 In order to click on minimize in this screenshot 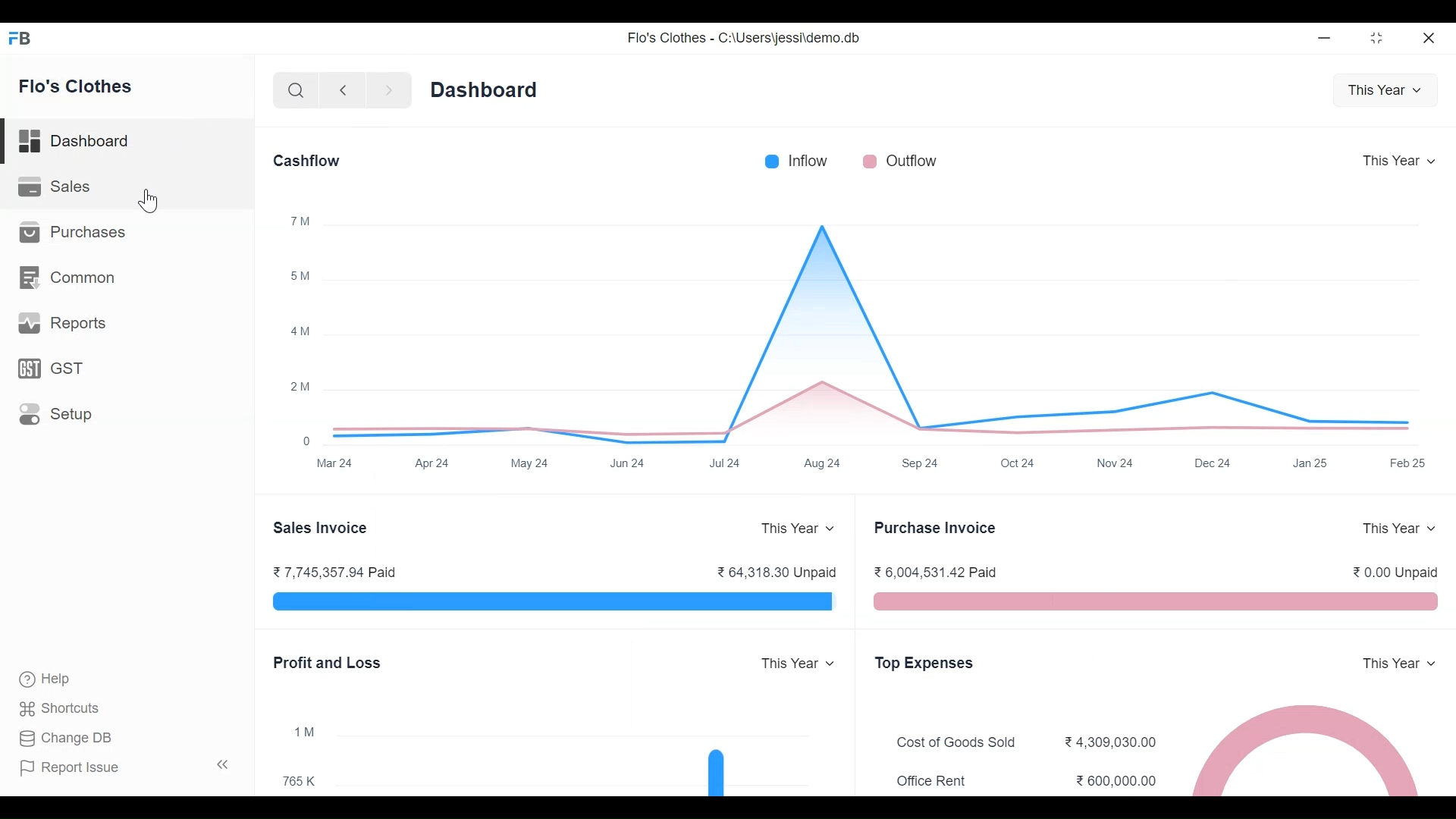, I will do `click(1323, 37)`.